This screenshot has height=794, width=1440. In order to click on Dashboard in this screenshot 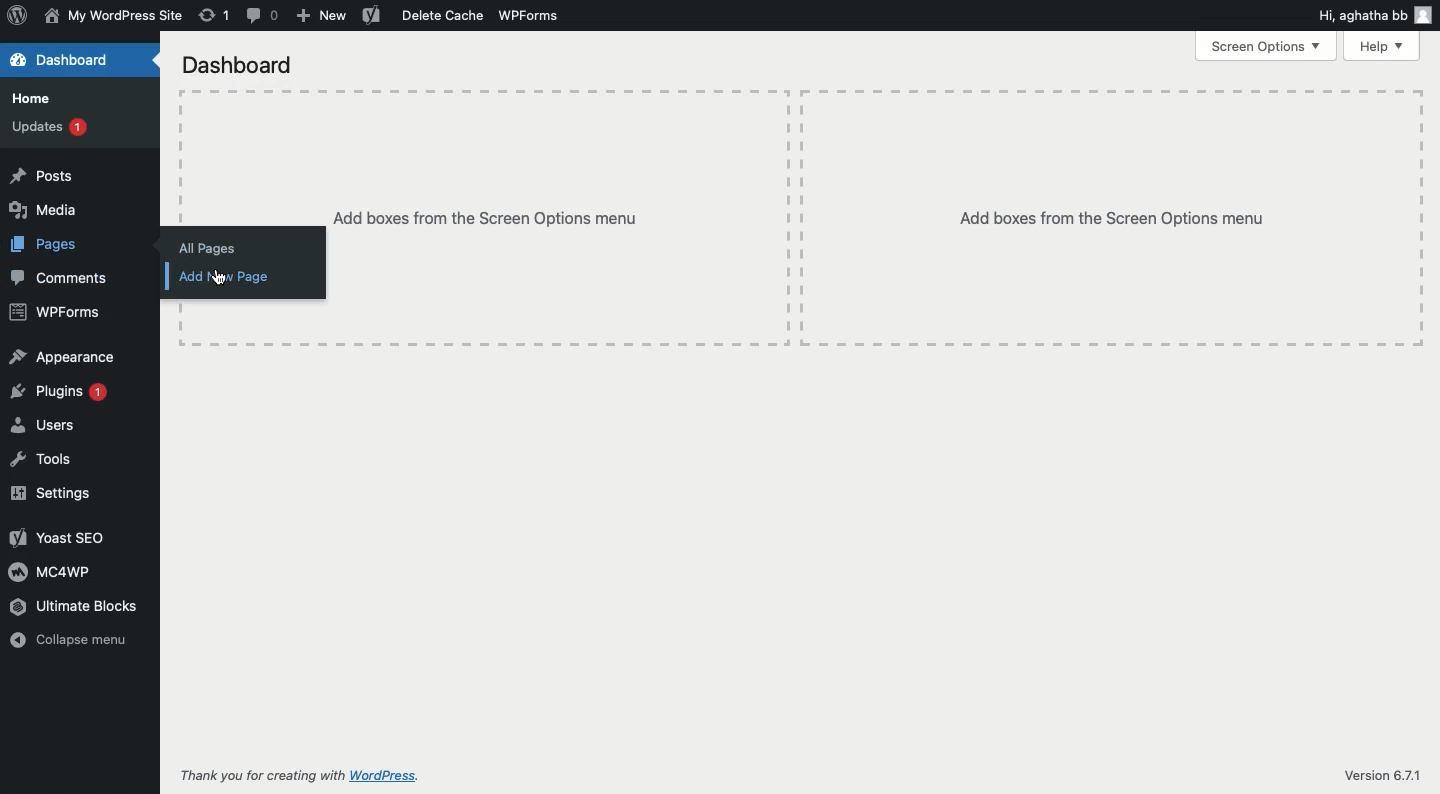, I will do `click(59, 59)`.